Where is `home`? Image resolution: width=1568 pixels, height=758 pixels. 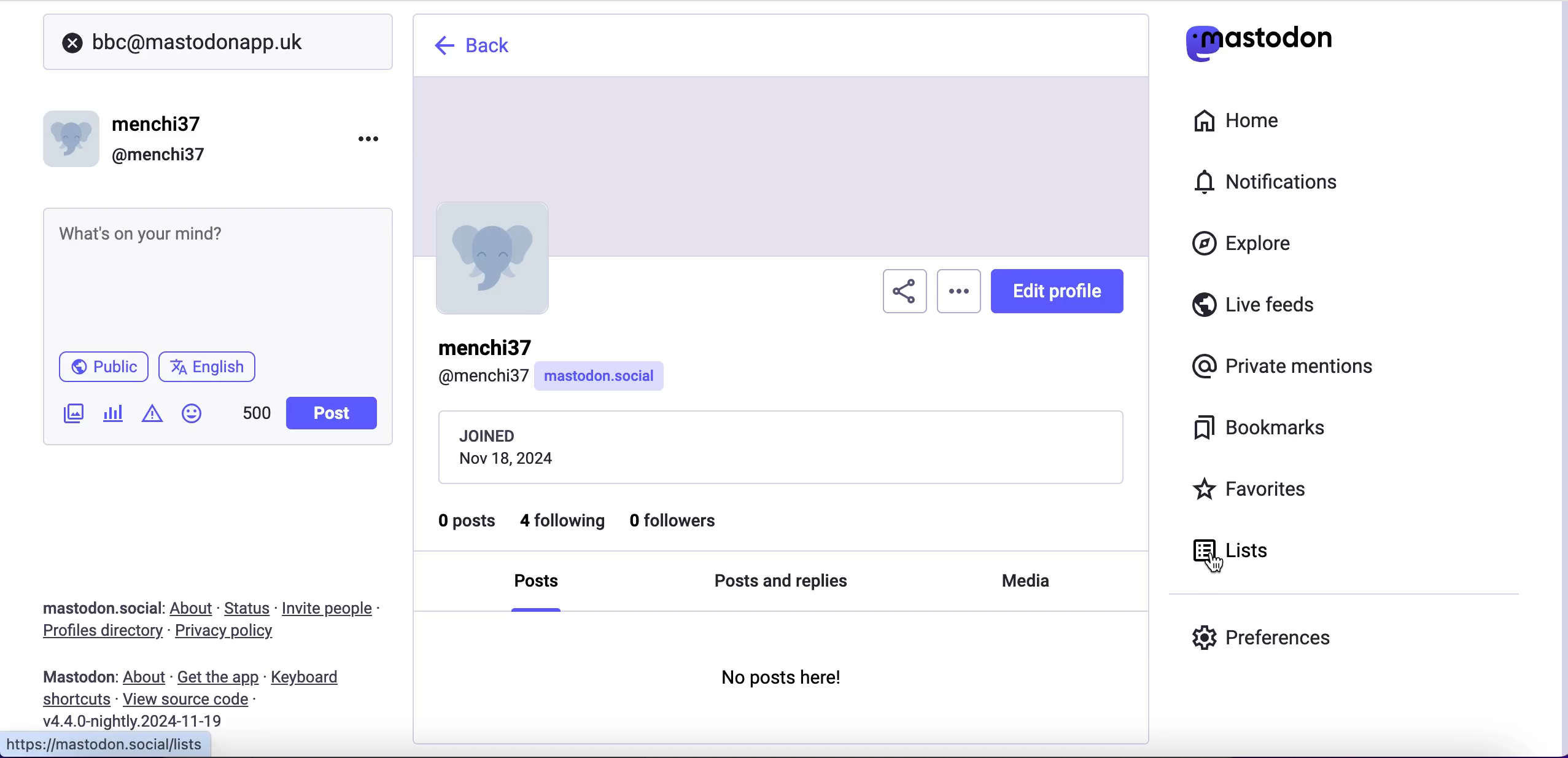 home is located at coordinates (1241, 119).